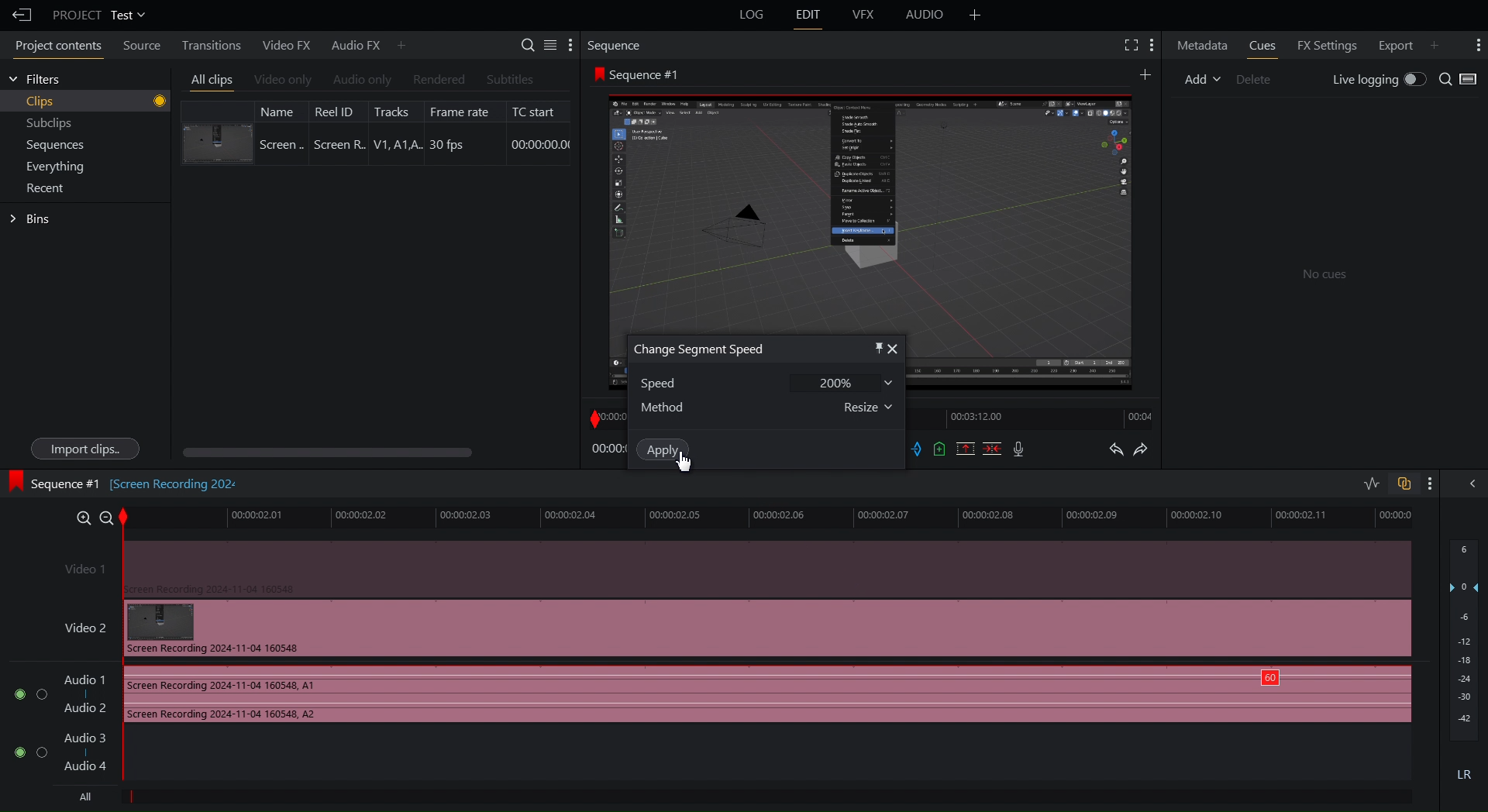 This screenshot has width=1488, height=812. What do you see at coordinates (81, 797) in the screenshot?
I see `All` at bounding box center [81, 797].